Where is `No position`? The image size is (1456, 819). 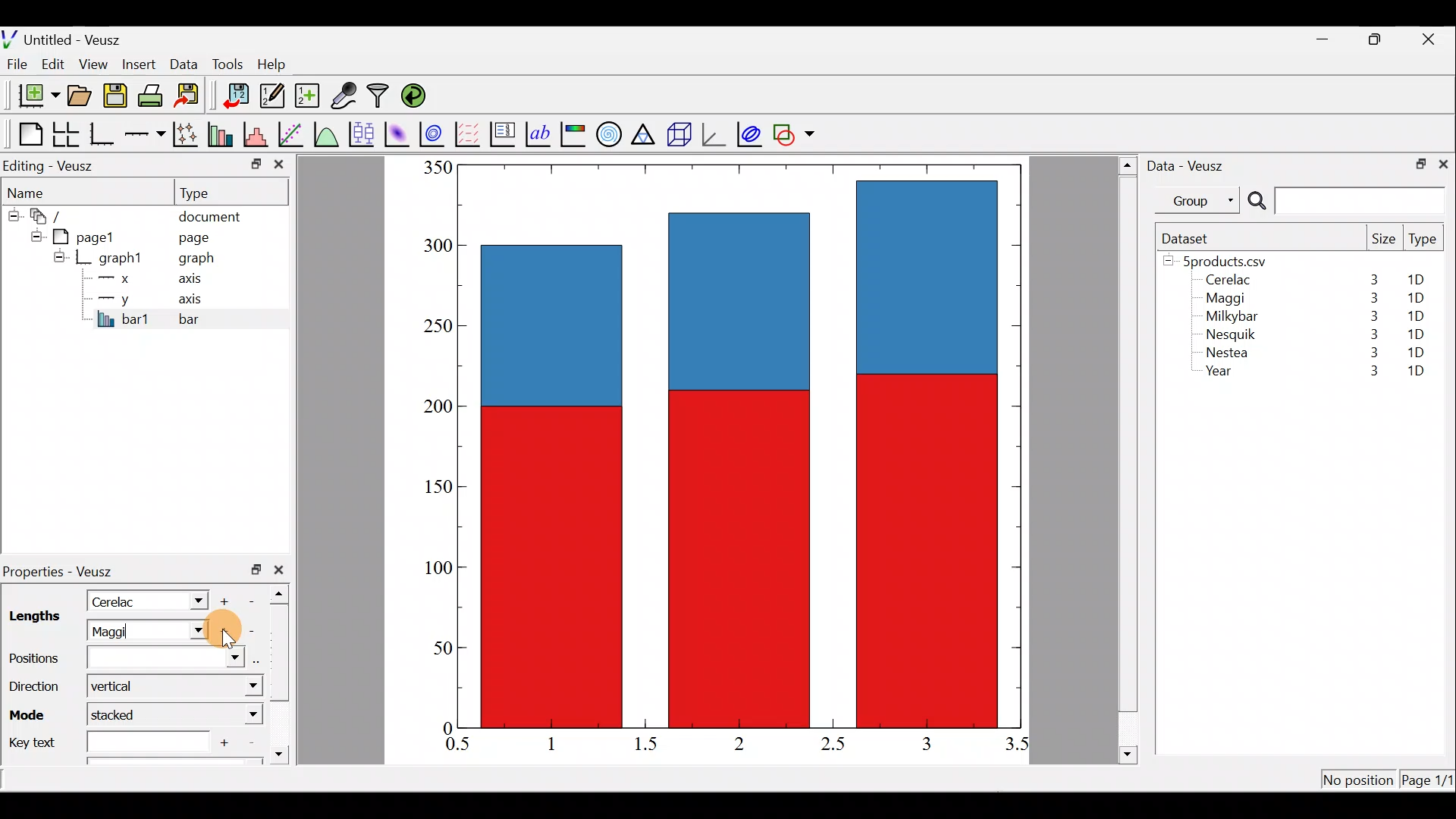
No position is located at coordinates (1359, 781).